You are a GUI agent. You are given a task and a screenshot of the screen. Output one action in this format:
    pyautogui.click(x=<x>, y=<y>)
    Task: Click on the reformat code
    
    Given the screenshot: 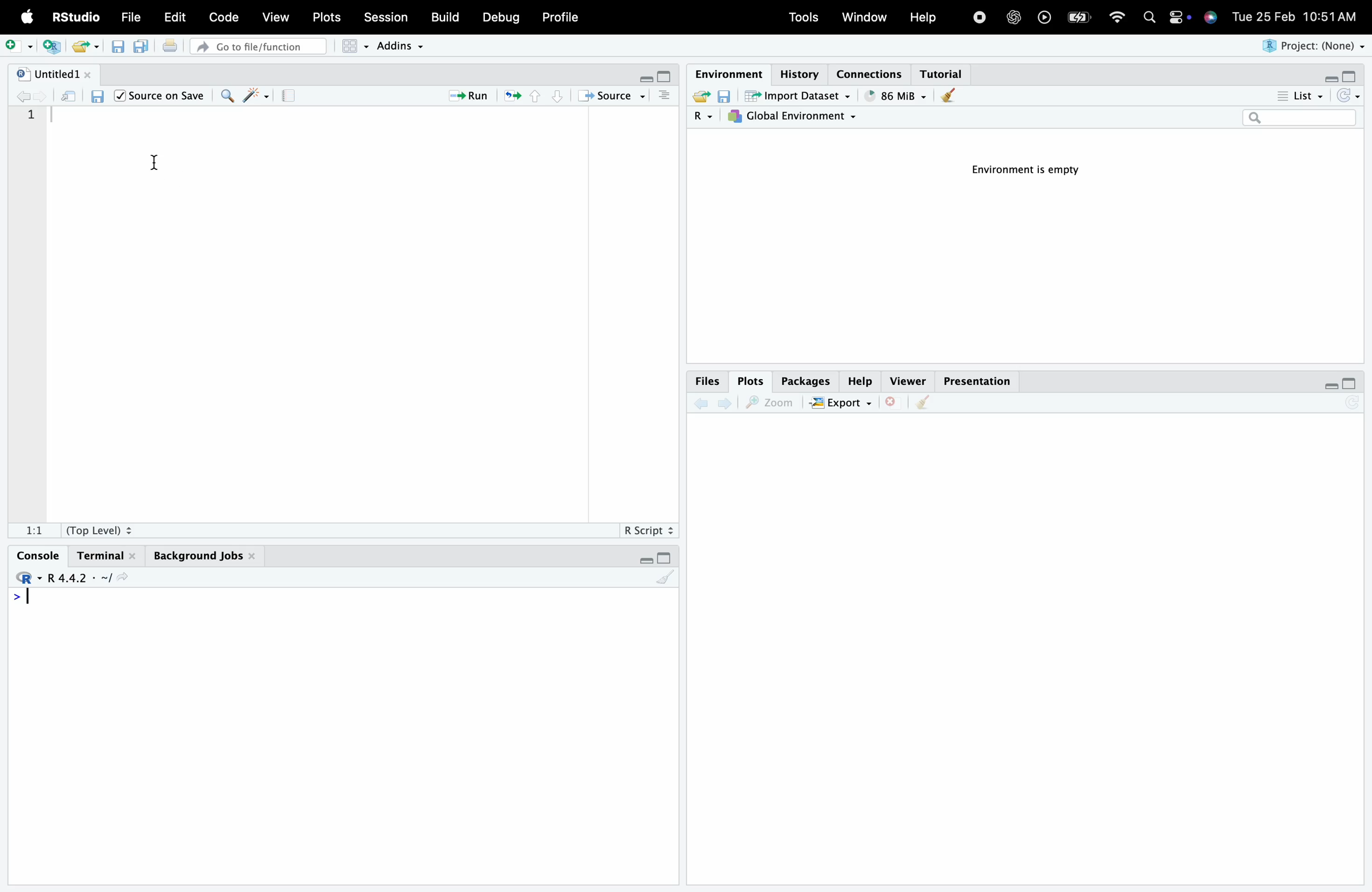 What is the action you would take?
    pyautogui.click(x=255, y=97)
    